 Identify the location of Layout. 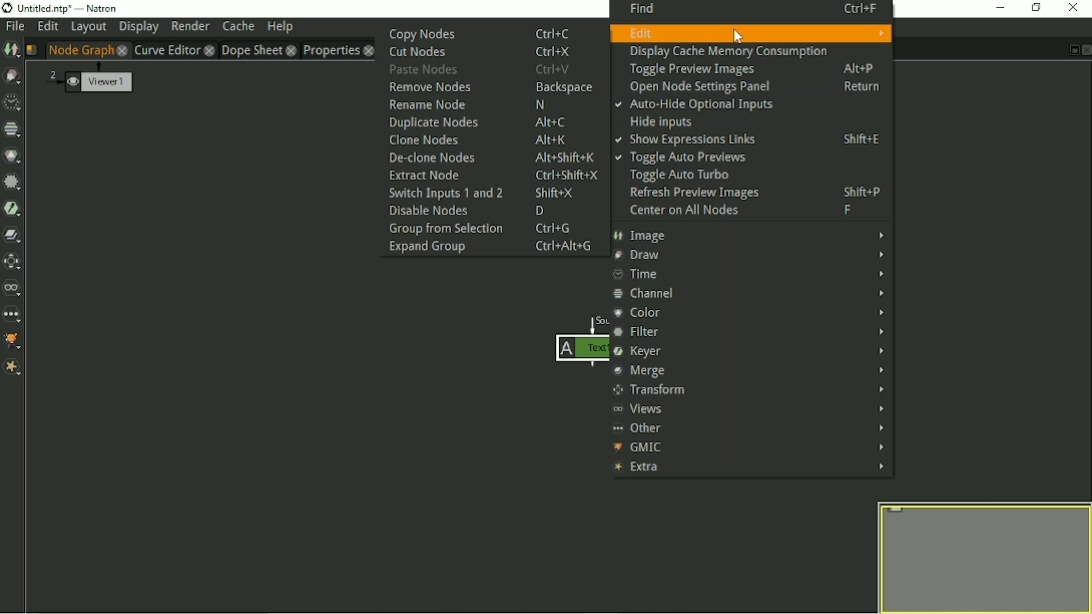
(88, 27).